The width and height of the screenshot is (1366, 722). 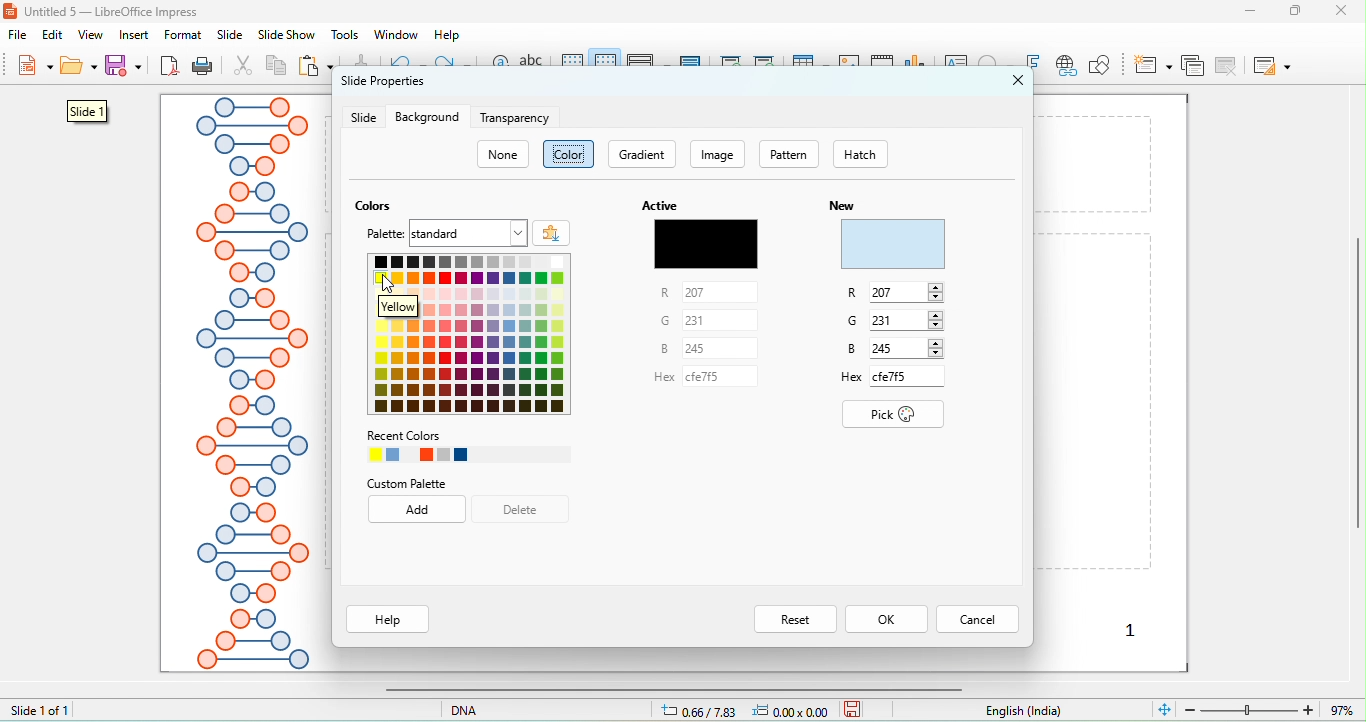 I want to click on slide 1 of 1, so click(x=40, y=709).